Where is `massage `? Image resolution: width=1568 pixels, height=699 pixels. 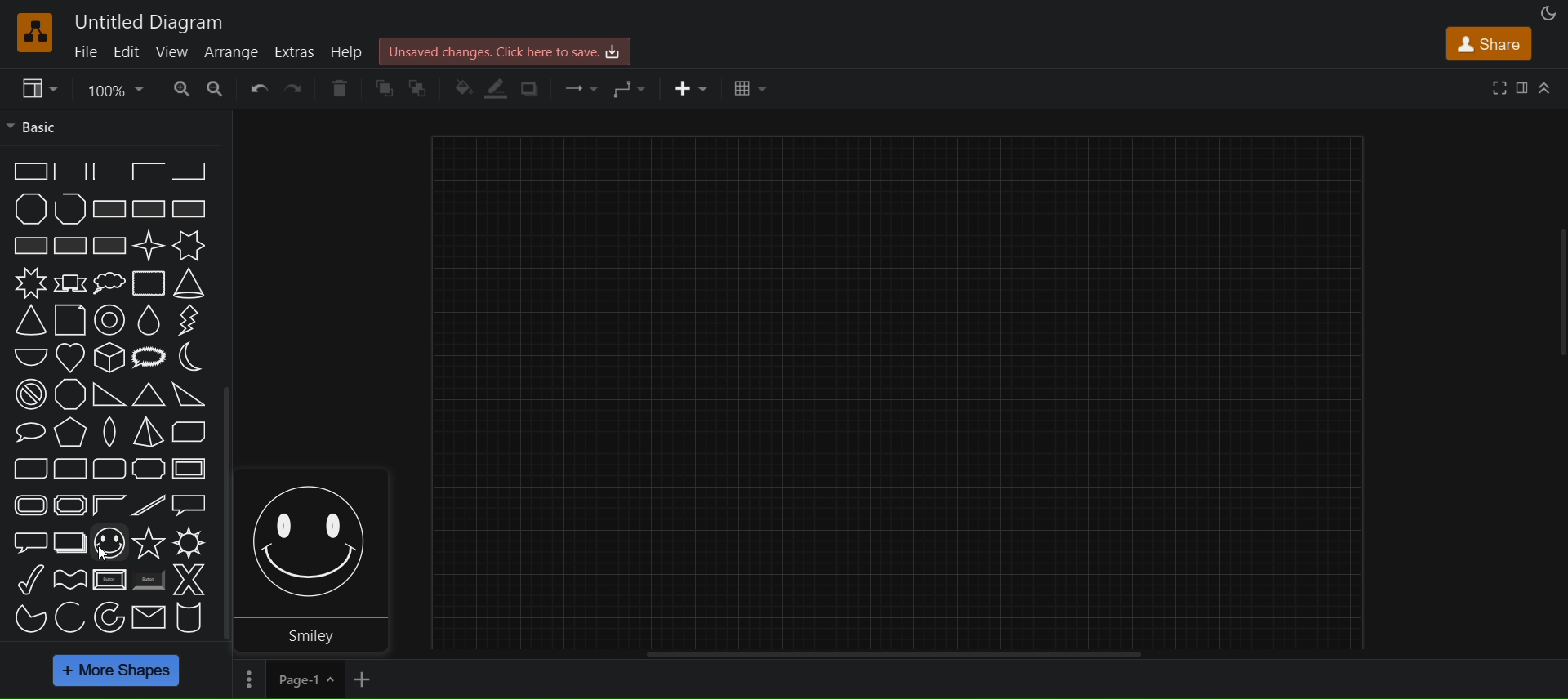
massage  is located at coordinates (148, 617).